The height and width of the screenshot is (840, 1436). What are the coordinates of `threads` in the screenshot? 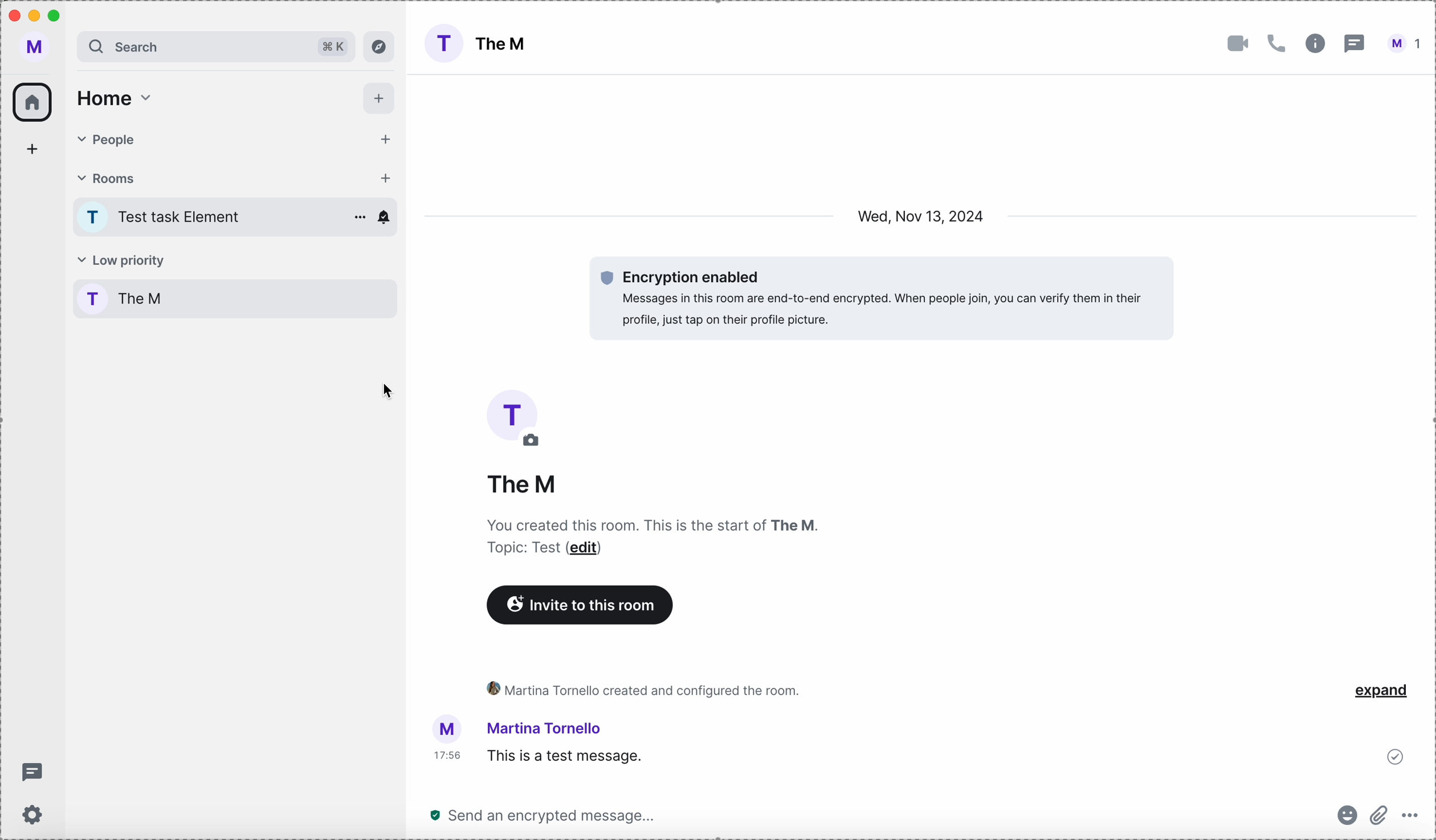 It's located at (1353, 44).